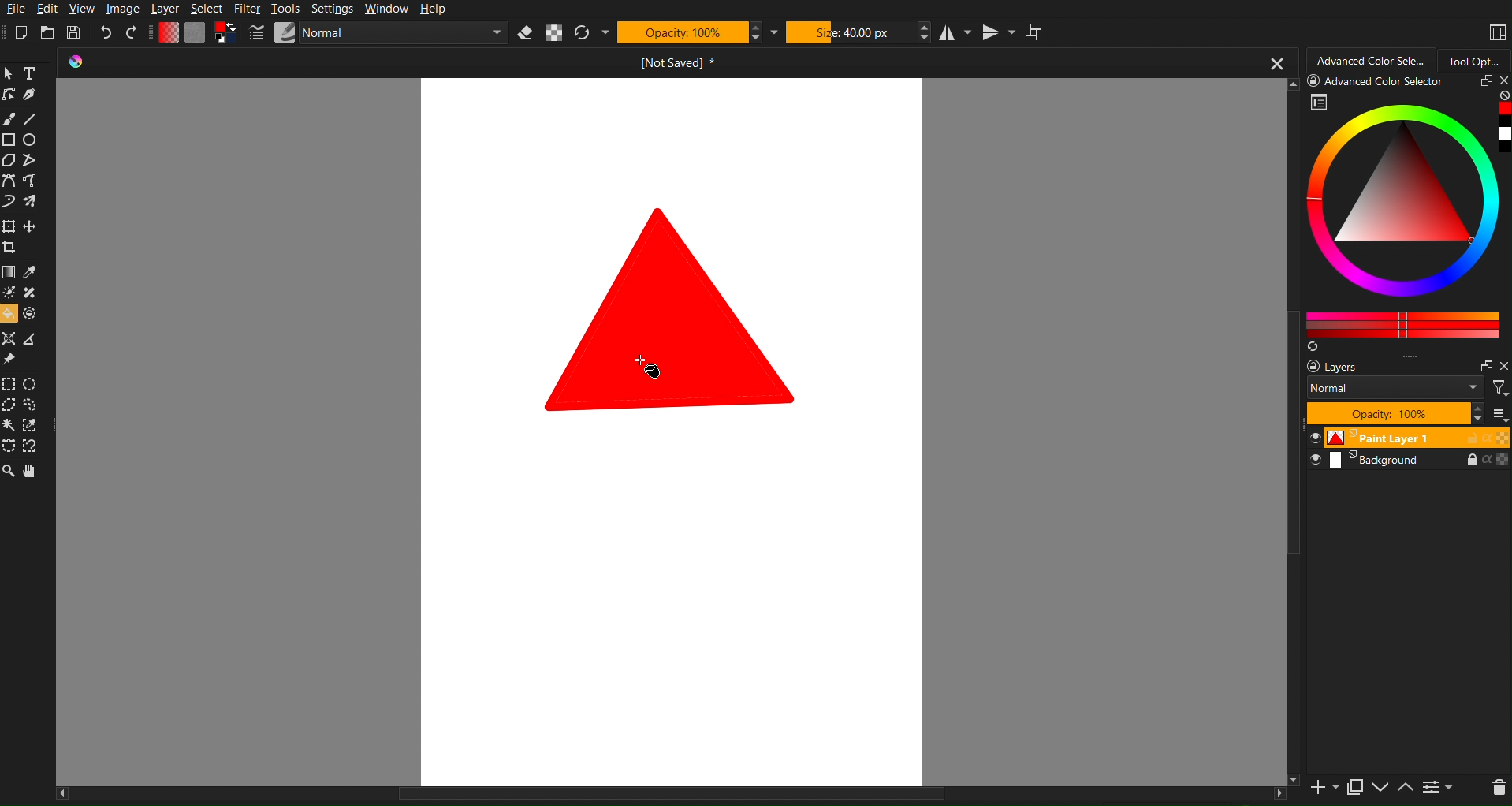  I want to click on Brush Tools, so click(9, 118).